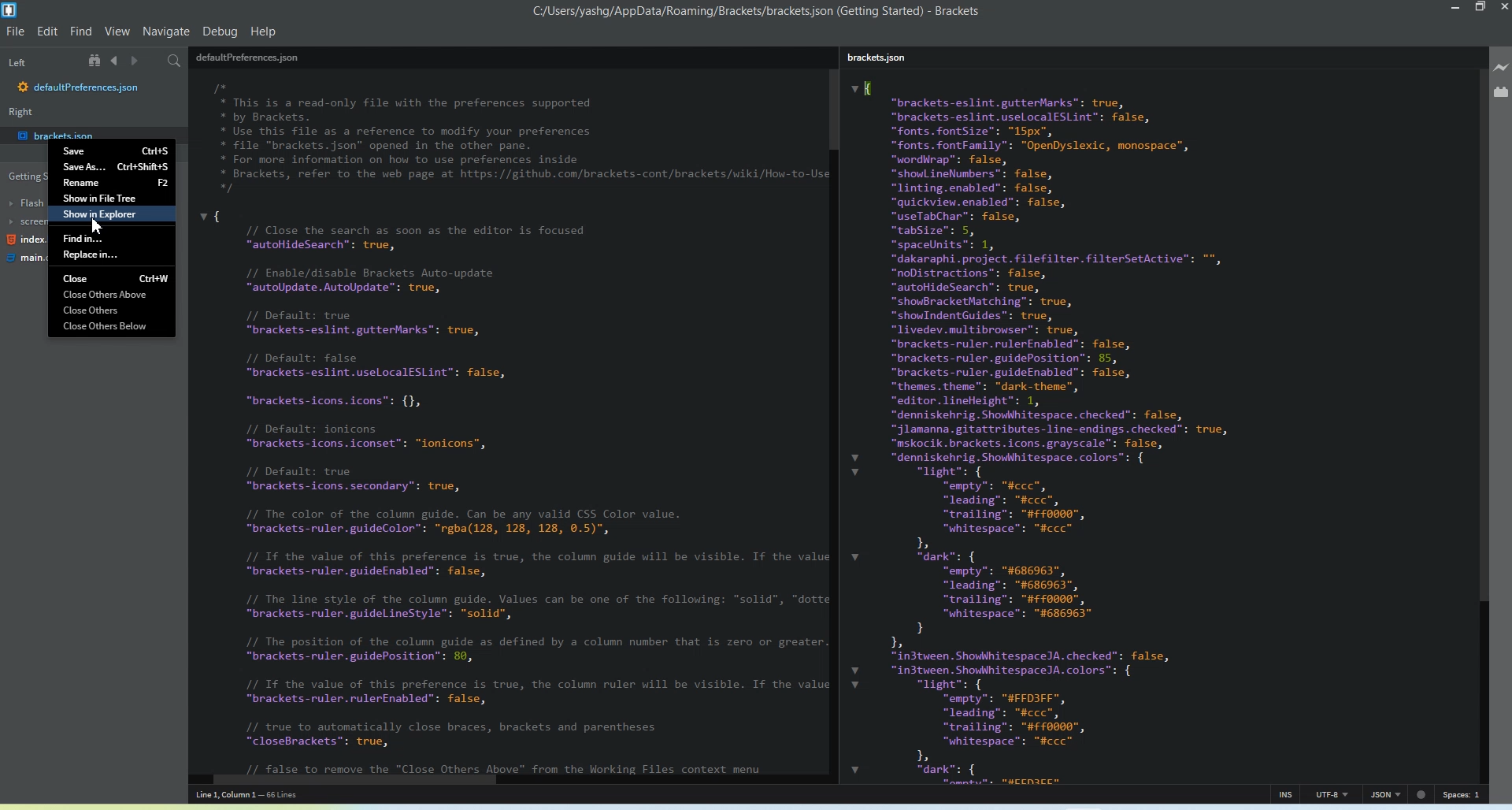 The height and width of the screenshot is (810, 1512). I want to click on Find in, so click(111, 238).